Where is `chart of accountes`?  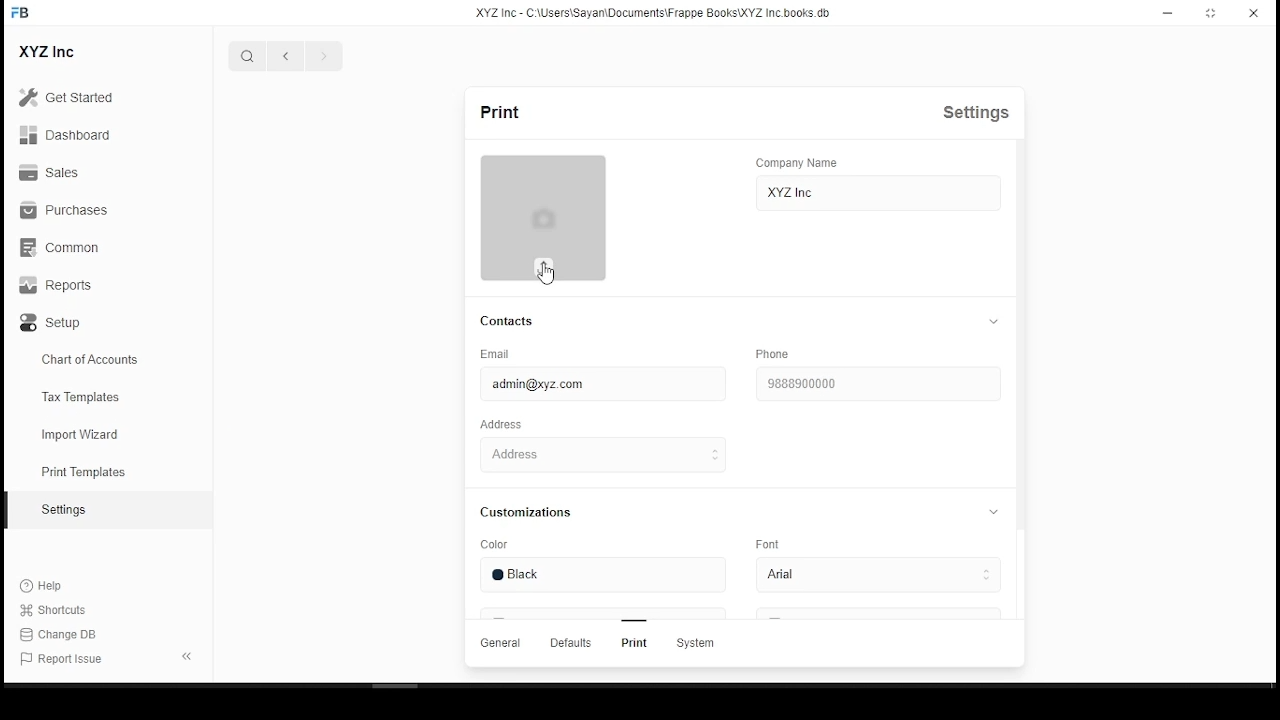 chart of accountes is located at coordinates (95, 360).